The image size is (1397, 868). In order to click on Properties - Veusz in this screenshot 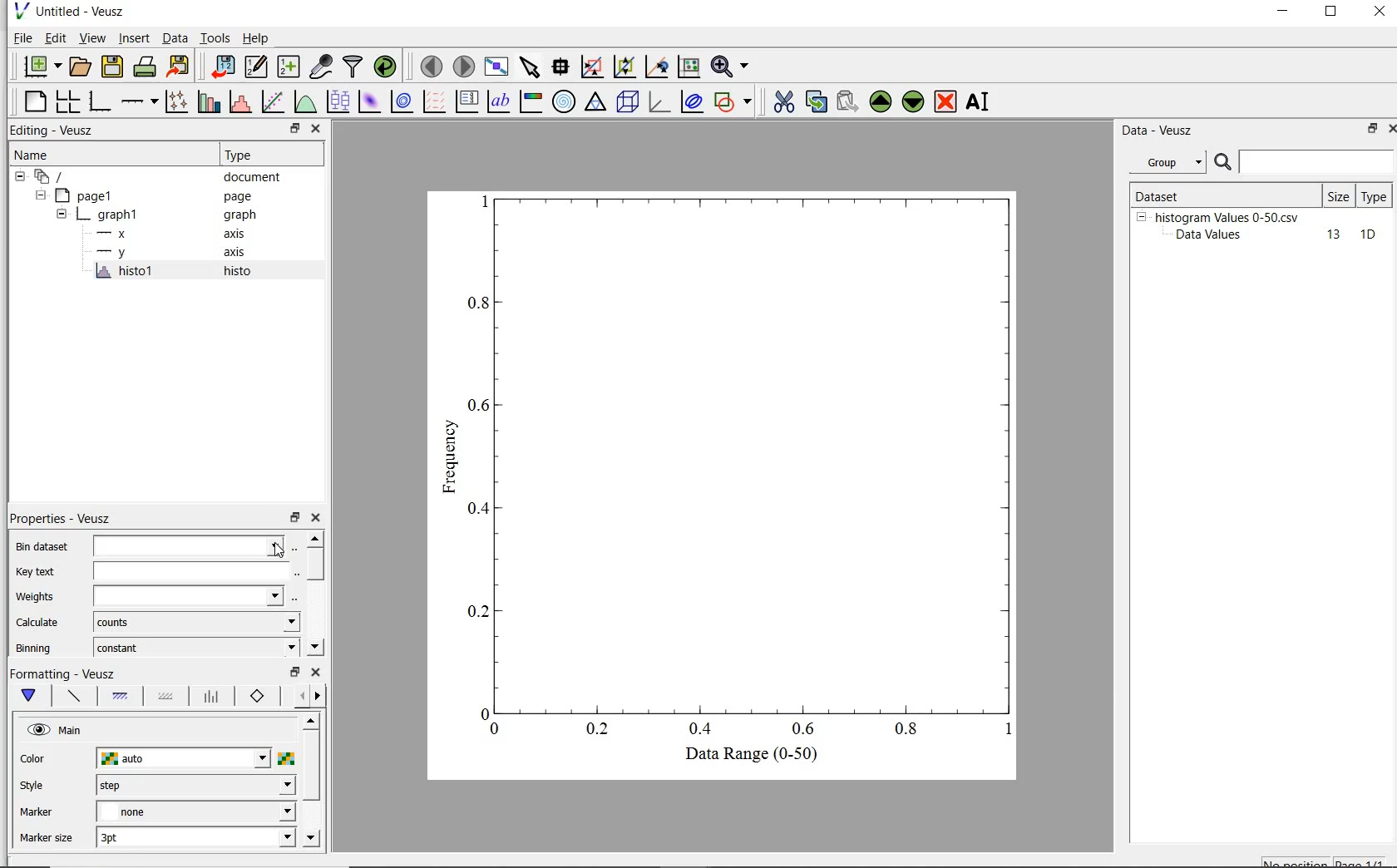, I will do `click(59, 517)`.